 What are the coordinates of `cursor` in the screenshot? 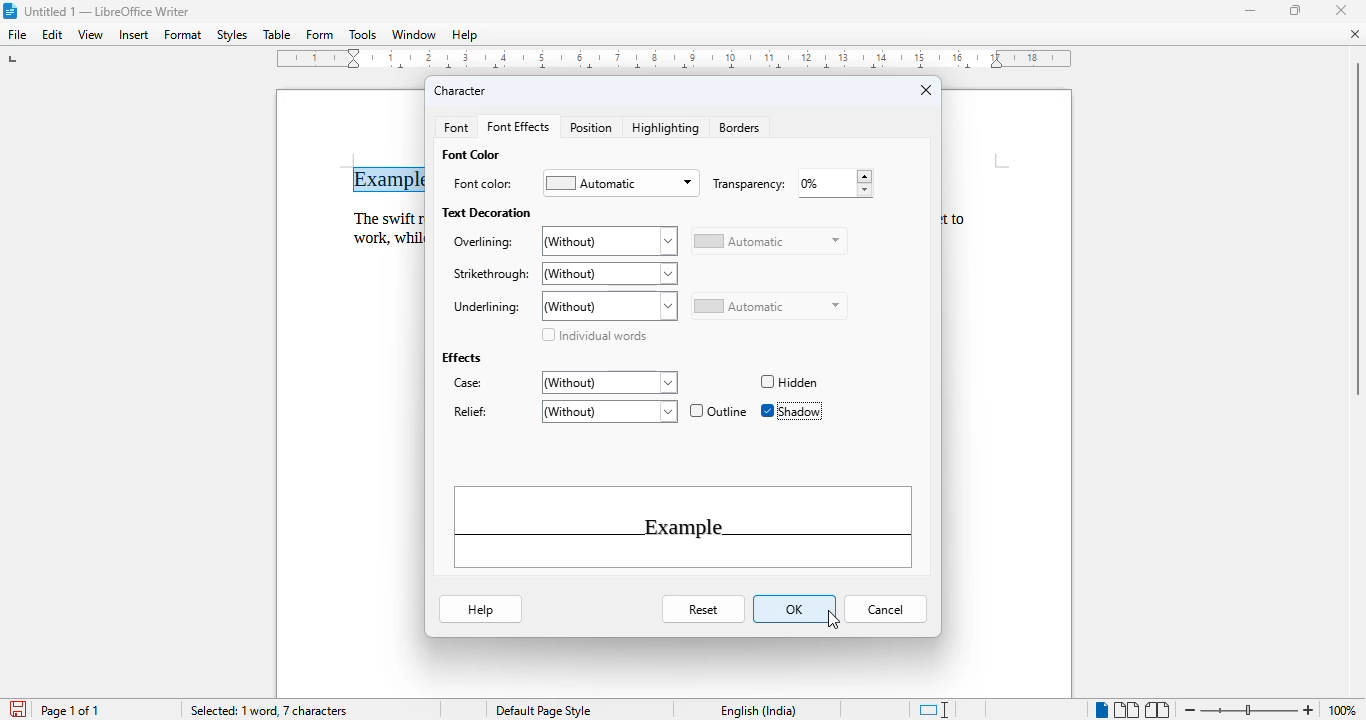 It's located at (834, 621).